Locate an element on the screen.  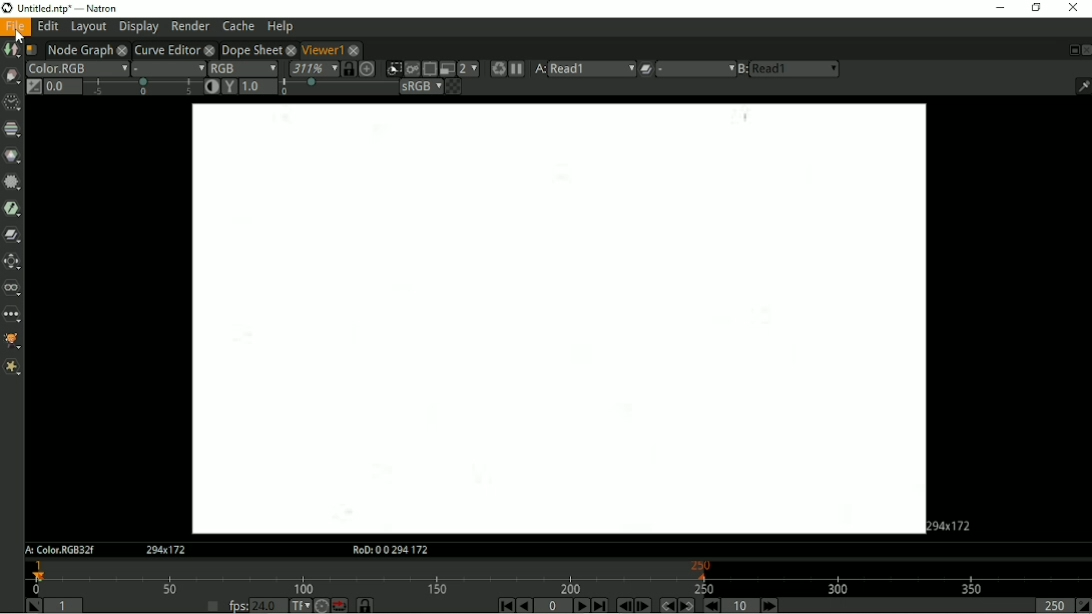
Restore down is located at coordinates (1037, 9).